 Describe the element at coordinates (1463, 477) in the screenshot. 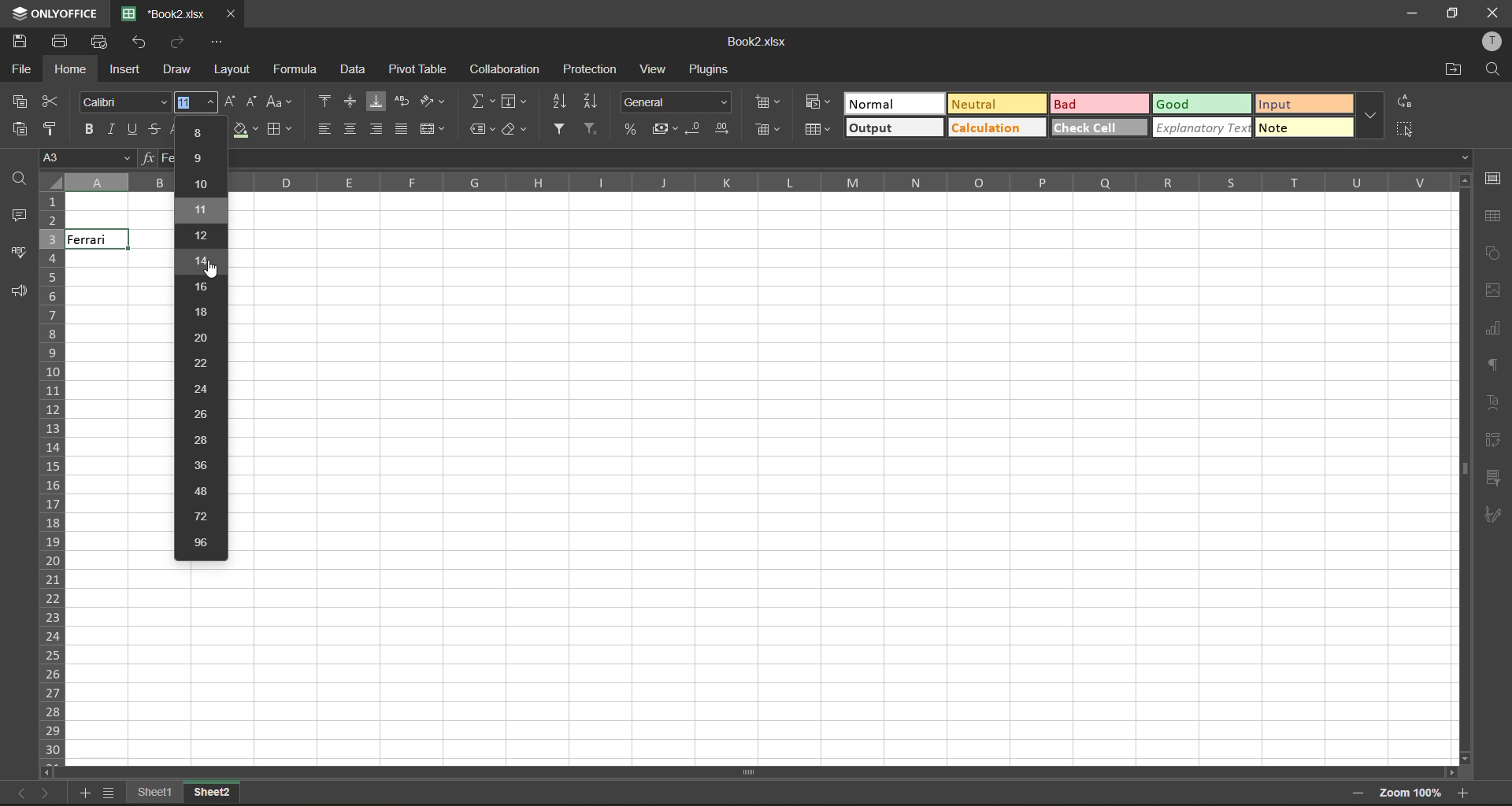

I see `Horizontal ScrollBar` at that location.